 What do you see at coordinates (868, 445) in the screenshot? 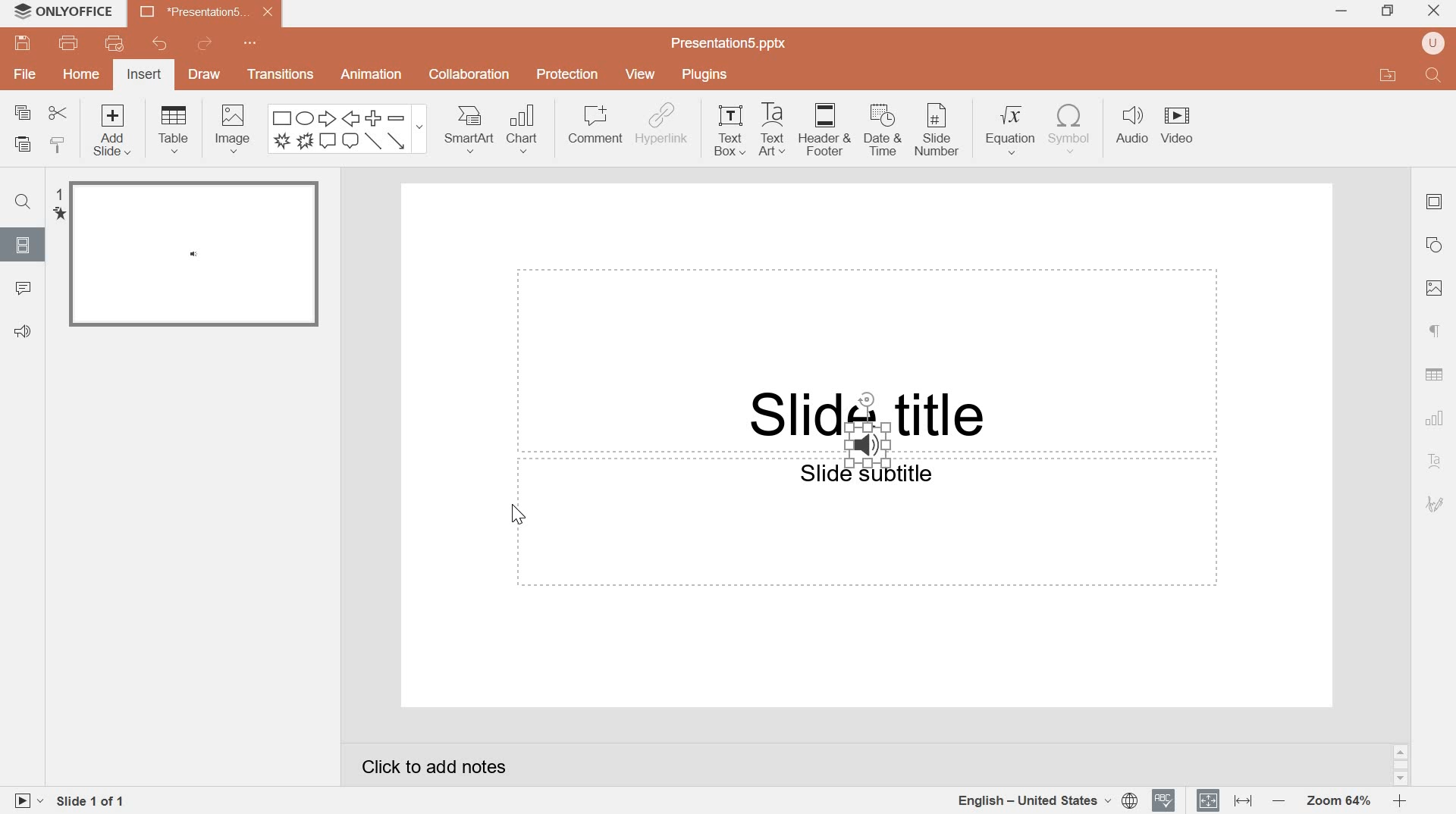
I see `audio` at bounding box center [868, 445].